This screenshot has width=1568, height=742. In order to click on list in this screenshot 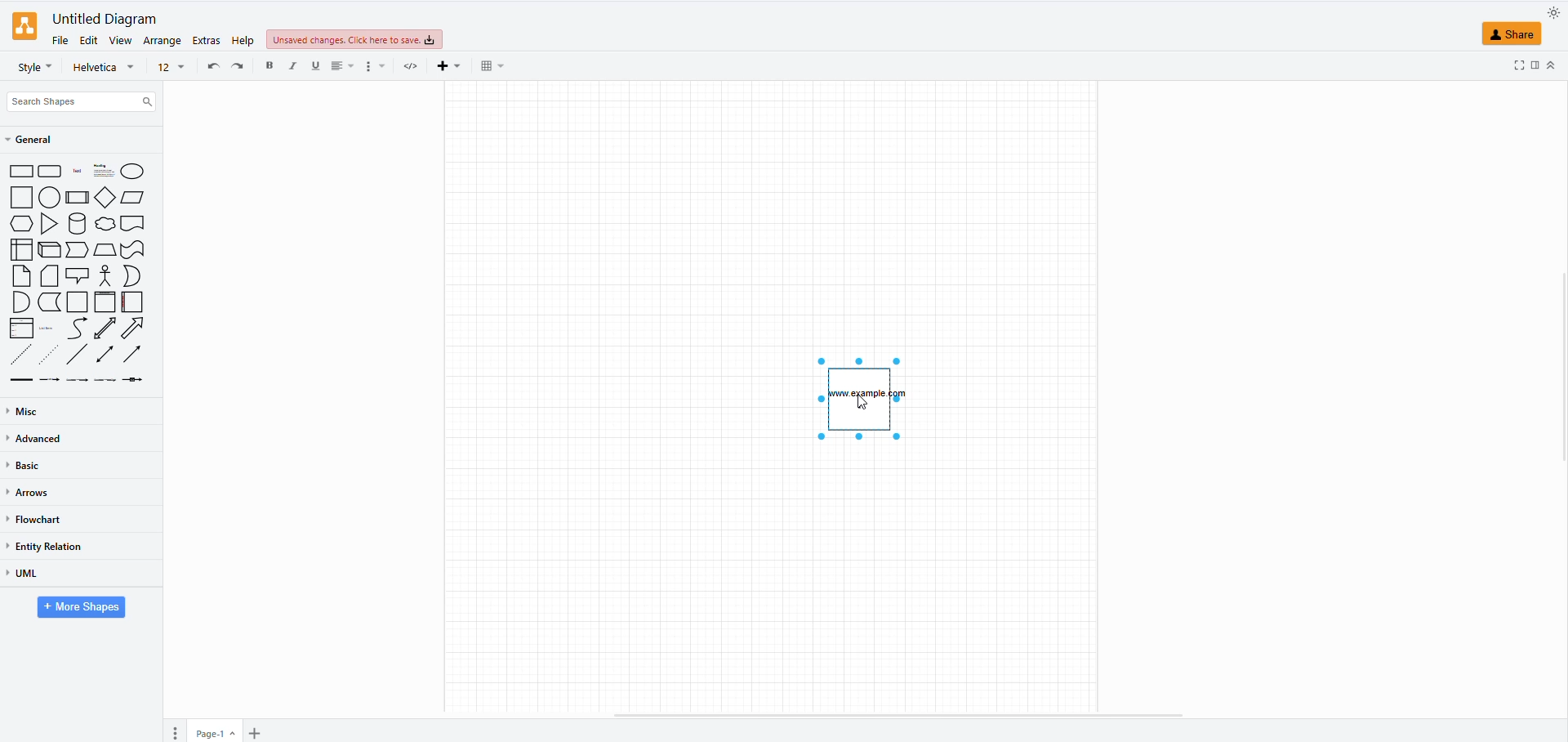, I will do `click(22, 329)`.